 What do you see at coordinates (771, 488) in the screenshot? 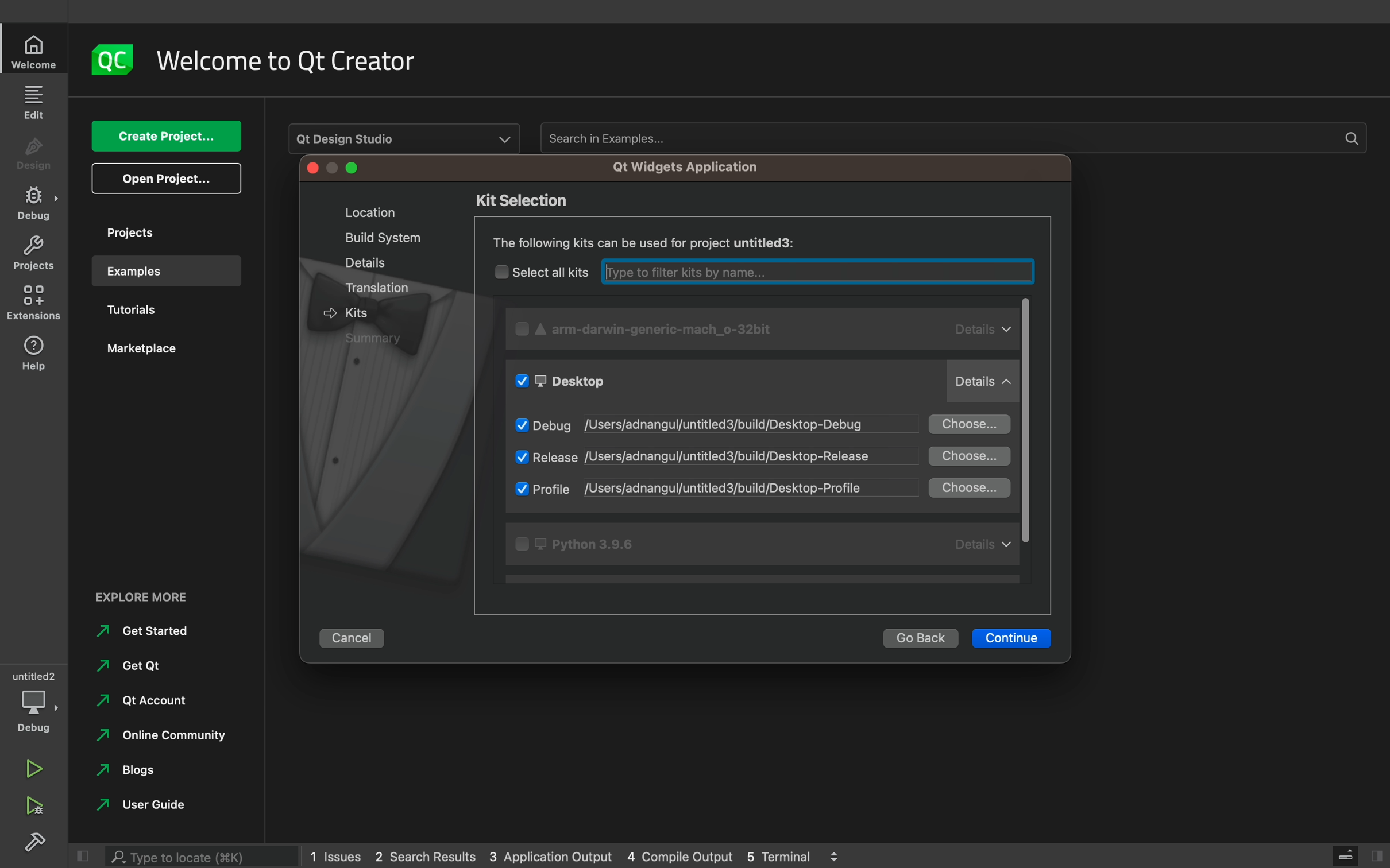
I see `profile: choose destination` at bounding box center [771, 488].